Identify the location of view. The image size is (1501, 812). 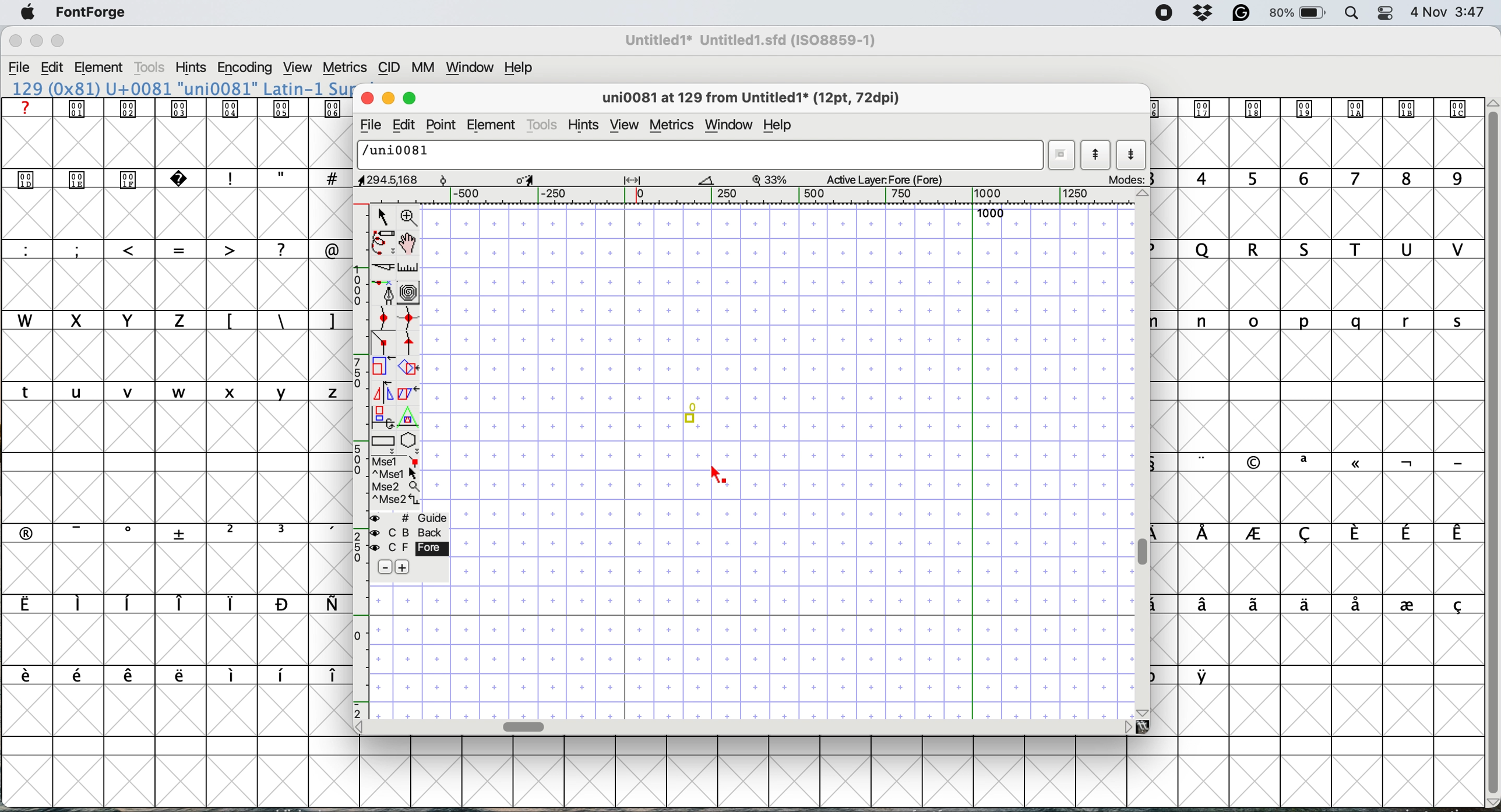
(624, 121).